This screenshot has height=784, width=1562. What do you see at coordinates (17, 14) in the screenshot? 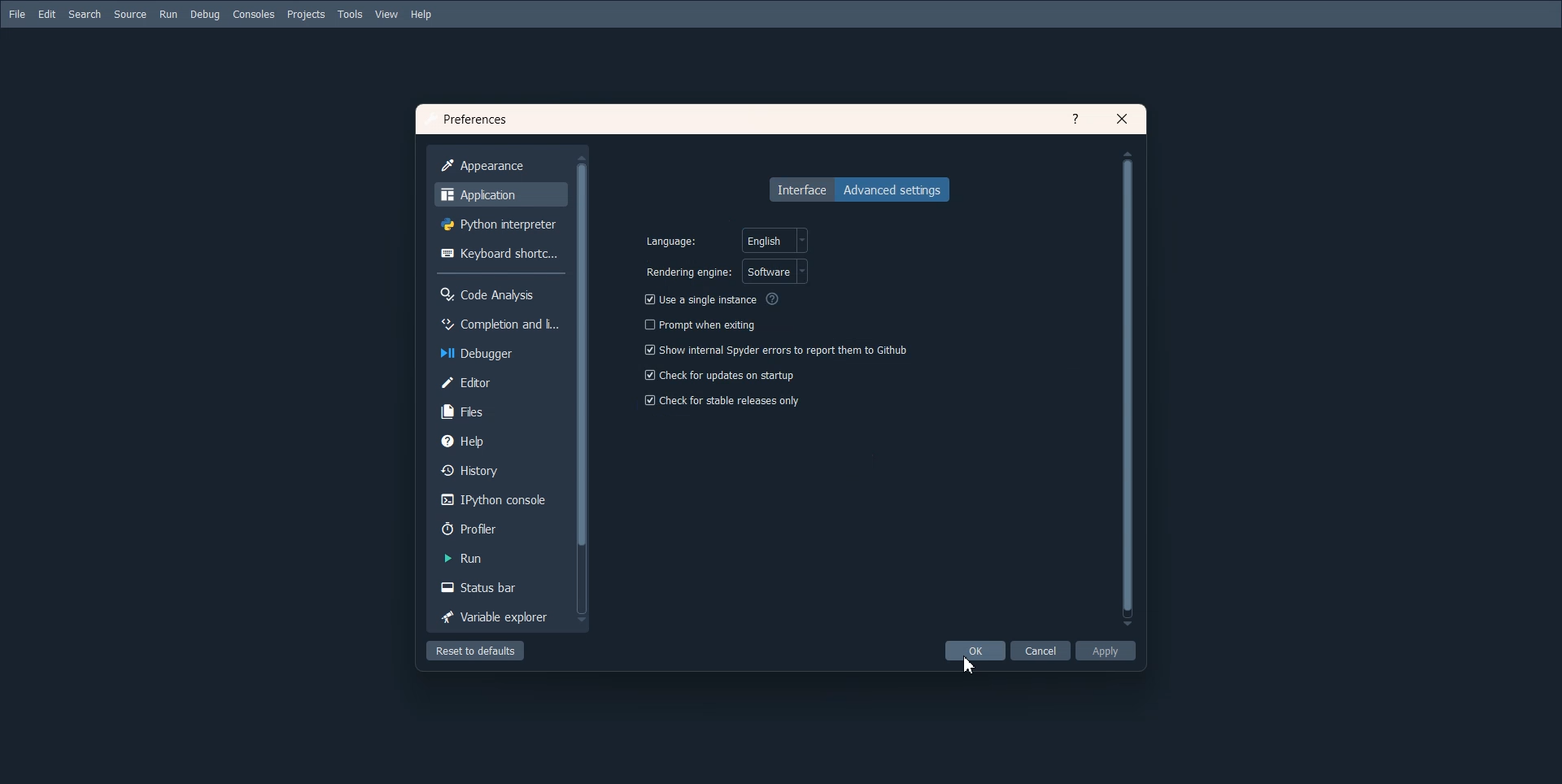
I see `File` at bounding box center [17, 14].